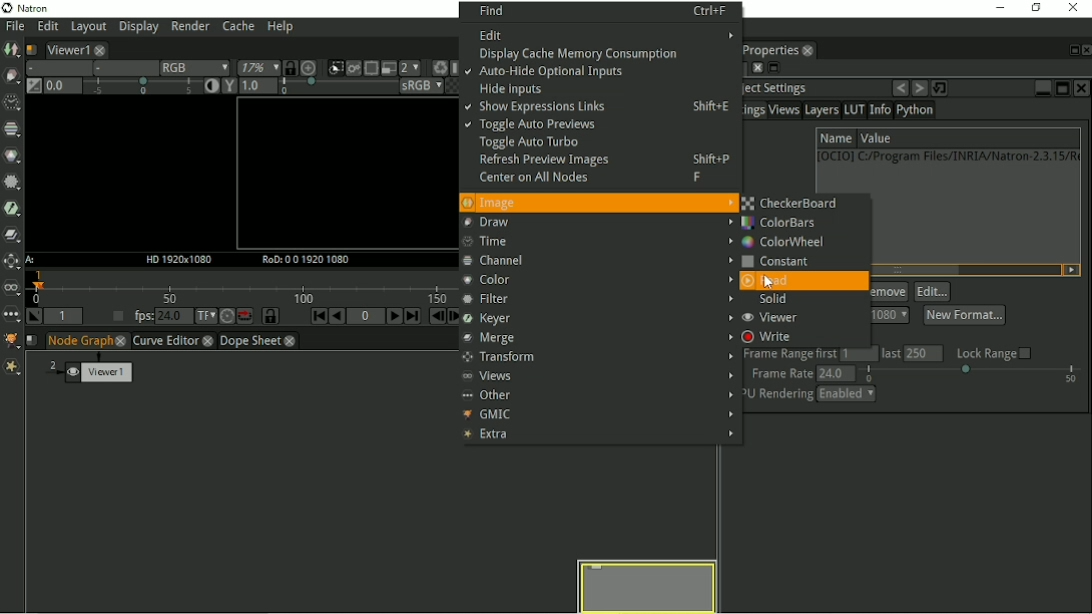  What do you see at coordinates (766, 281) in the screenshot?
I see `Read` at bounding box center [766, 281].